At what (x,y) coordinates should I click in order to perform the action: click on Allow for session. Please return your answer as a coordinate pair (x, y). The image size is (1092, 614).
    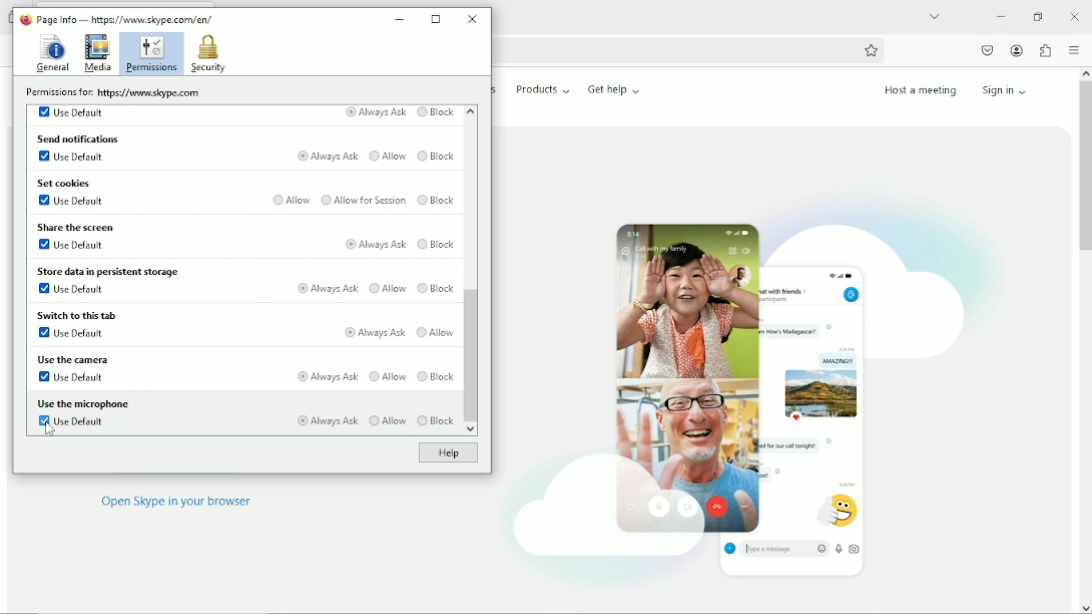
    Looking at the image, I should click on (363, 200).